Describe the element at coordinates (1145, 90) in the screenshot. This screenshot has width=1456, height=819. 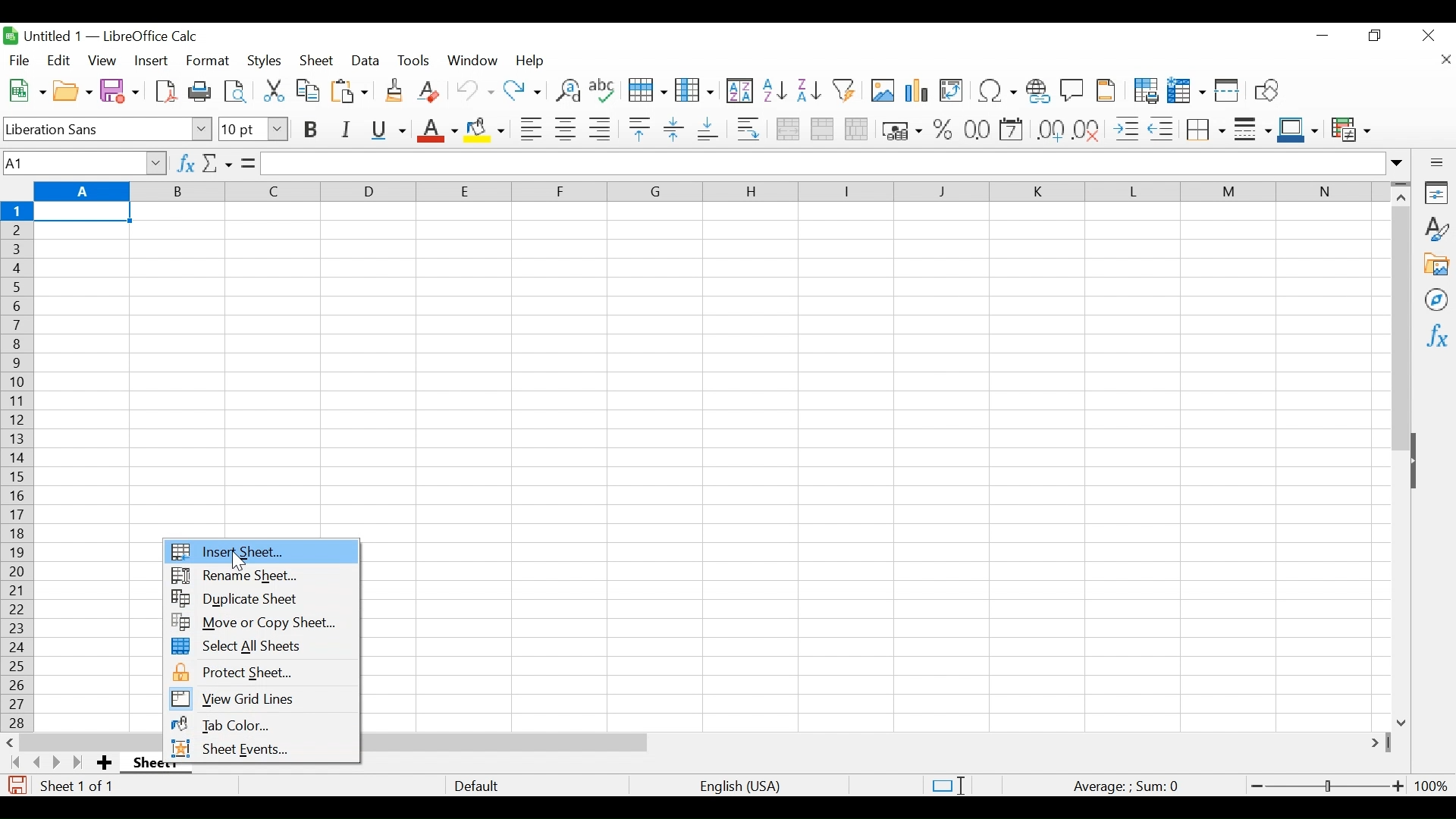
I see `Define Print Area` at that location.